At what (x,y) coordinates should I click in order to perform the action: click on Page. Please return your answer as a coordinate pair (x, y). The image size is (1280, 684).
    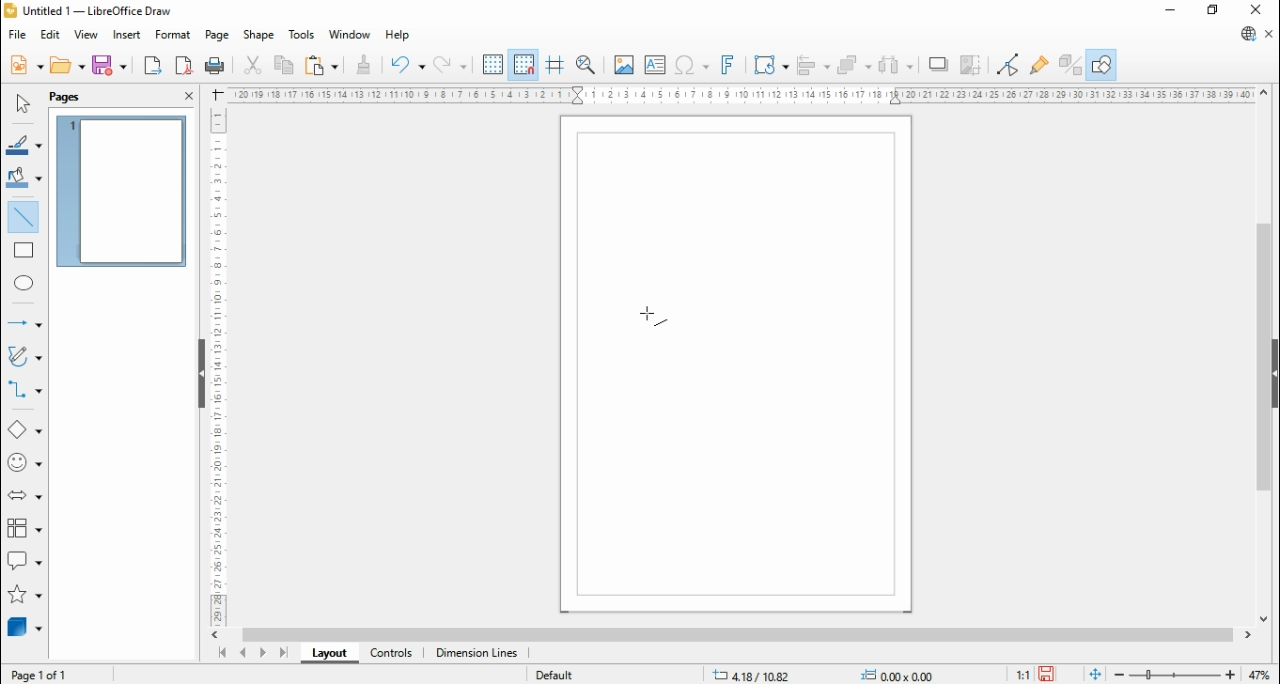
    Looking at the image, I should click on (736, 362).